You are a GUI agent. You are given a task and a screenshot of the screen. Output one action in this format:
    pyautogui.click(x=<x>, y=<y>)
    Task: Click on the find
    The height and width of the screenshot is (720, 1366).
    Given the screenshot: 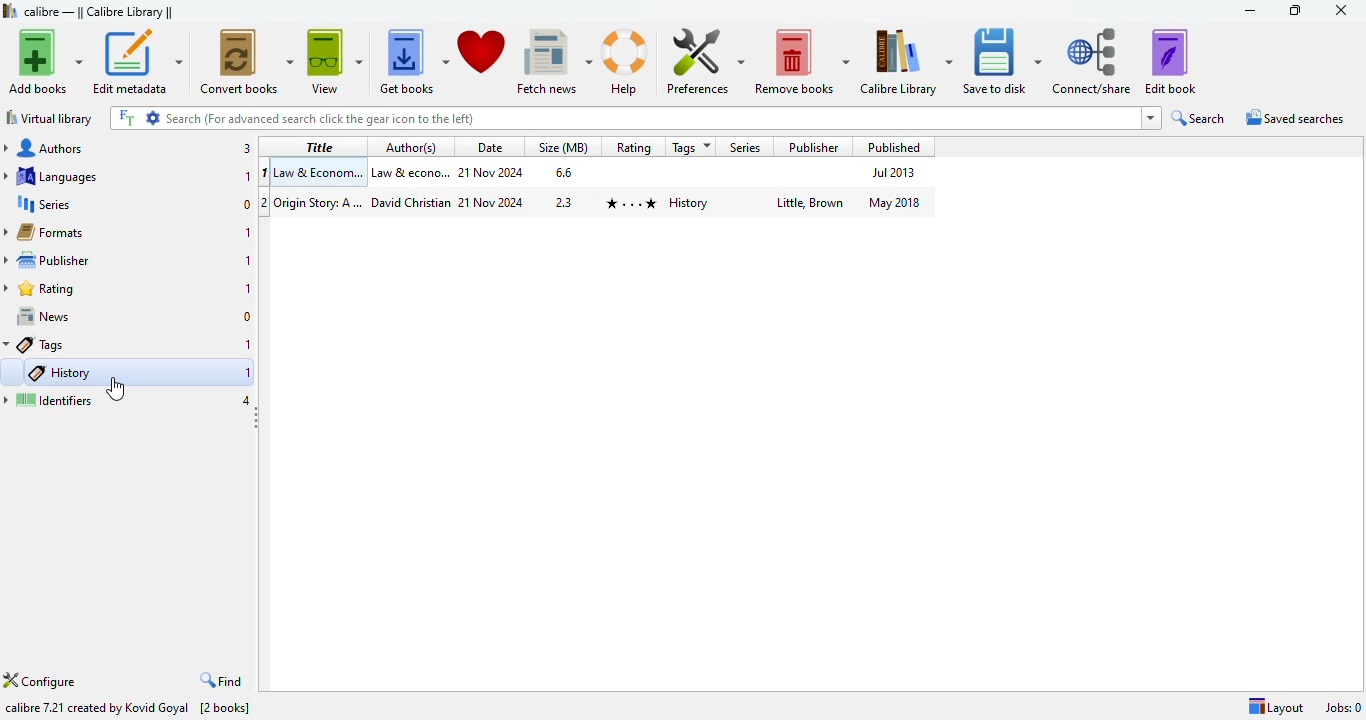 What is the action you would take?
    pyautogui.click(x=222, y=680)
    